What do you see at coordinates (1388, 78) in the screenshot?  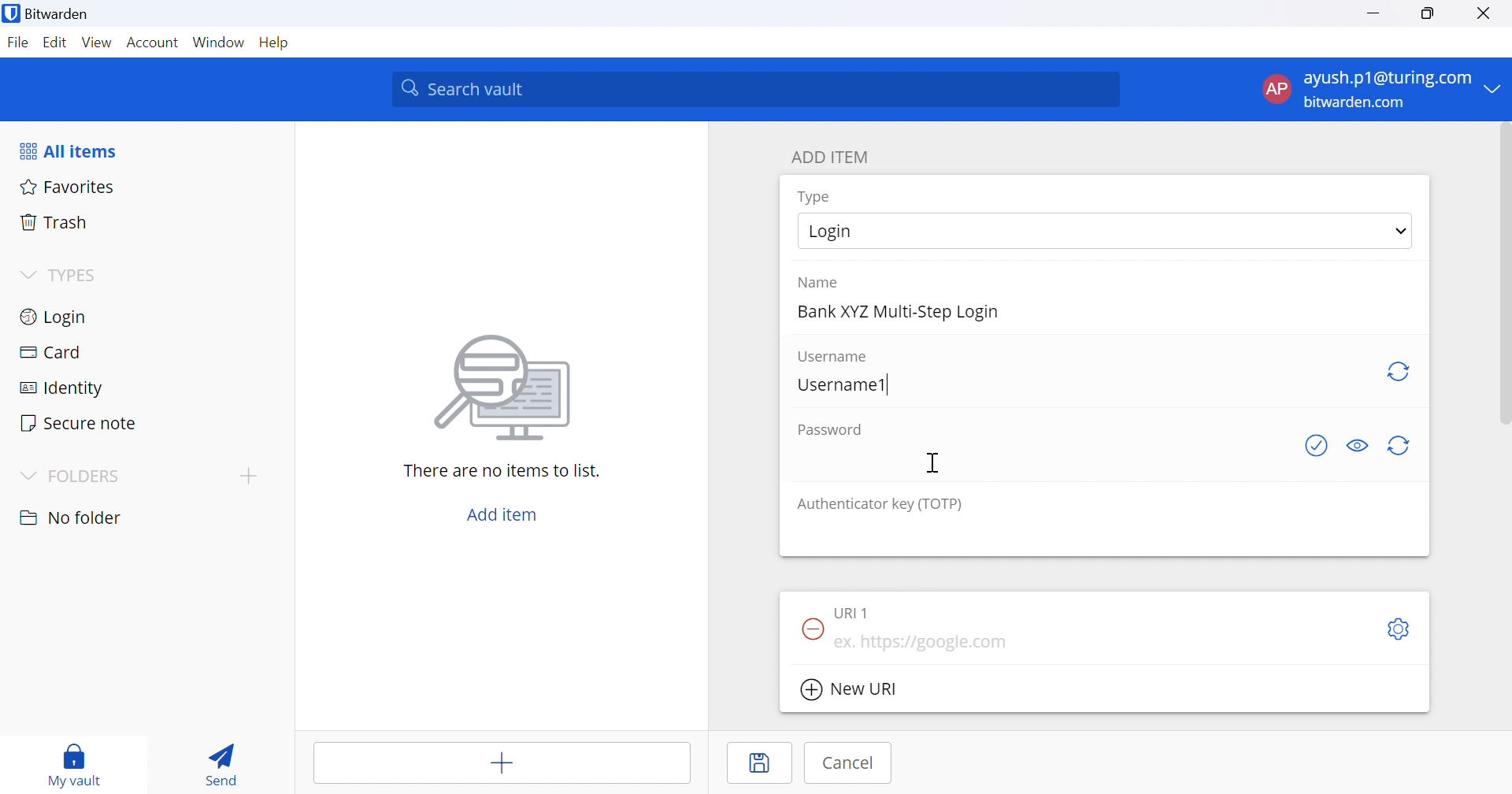 I see `ayush.p1@turing.com` at bounding box center [1388, 78].